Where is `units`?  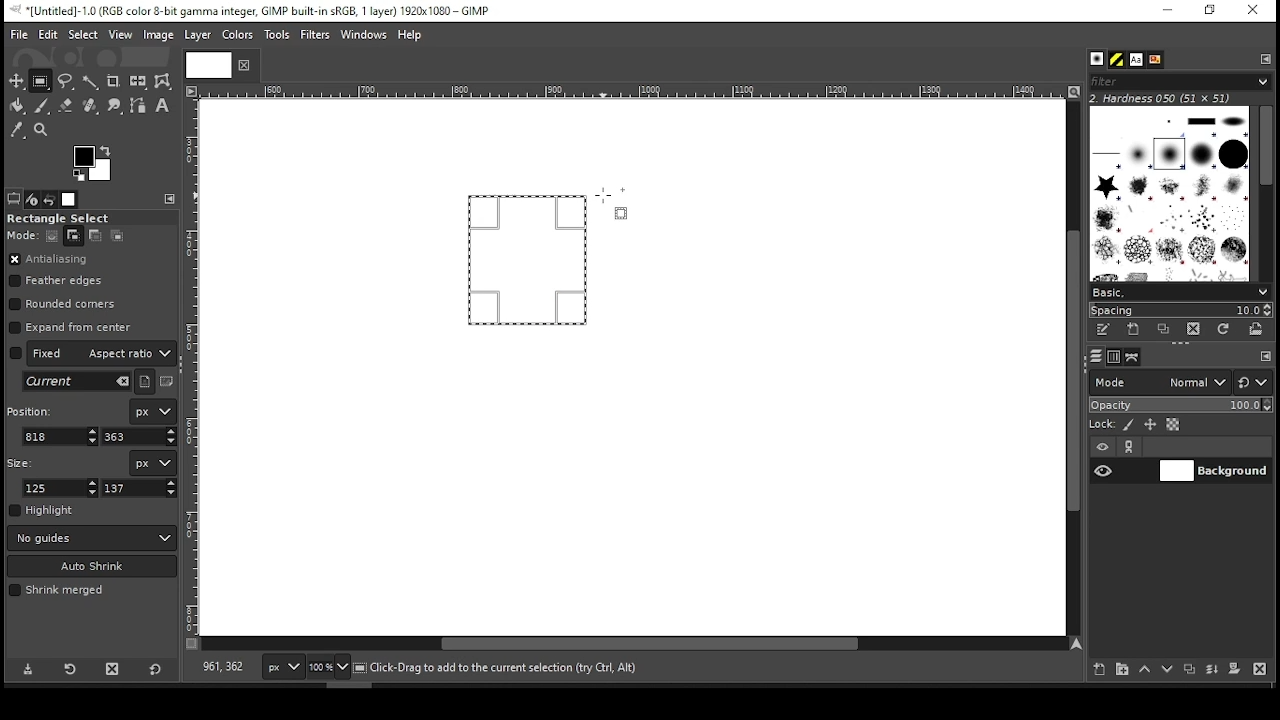 units is located at coordinates (152, 463).